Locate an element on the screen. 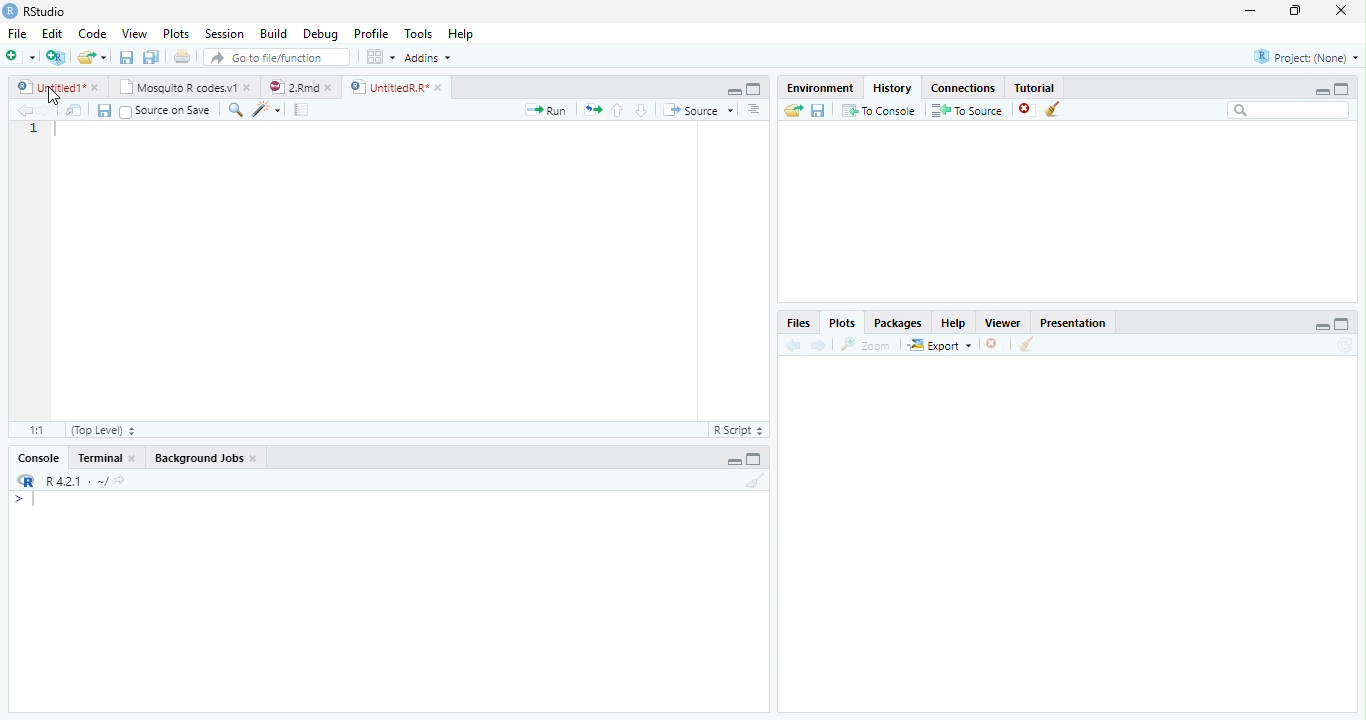 This screenshot has width=1366, height=720. Export is located at coordinates (939, 346).